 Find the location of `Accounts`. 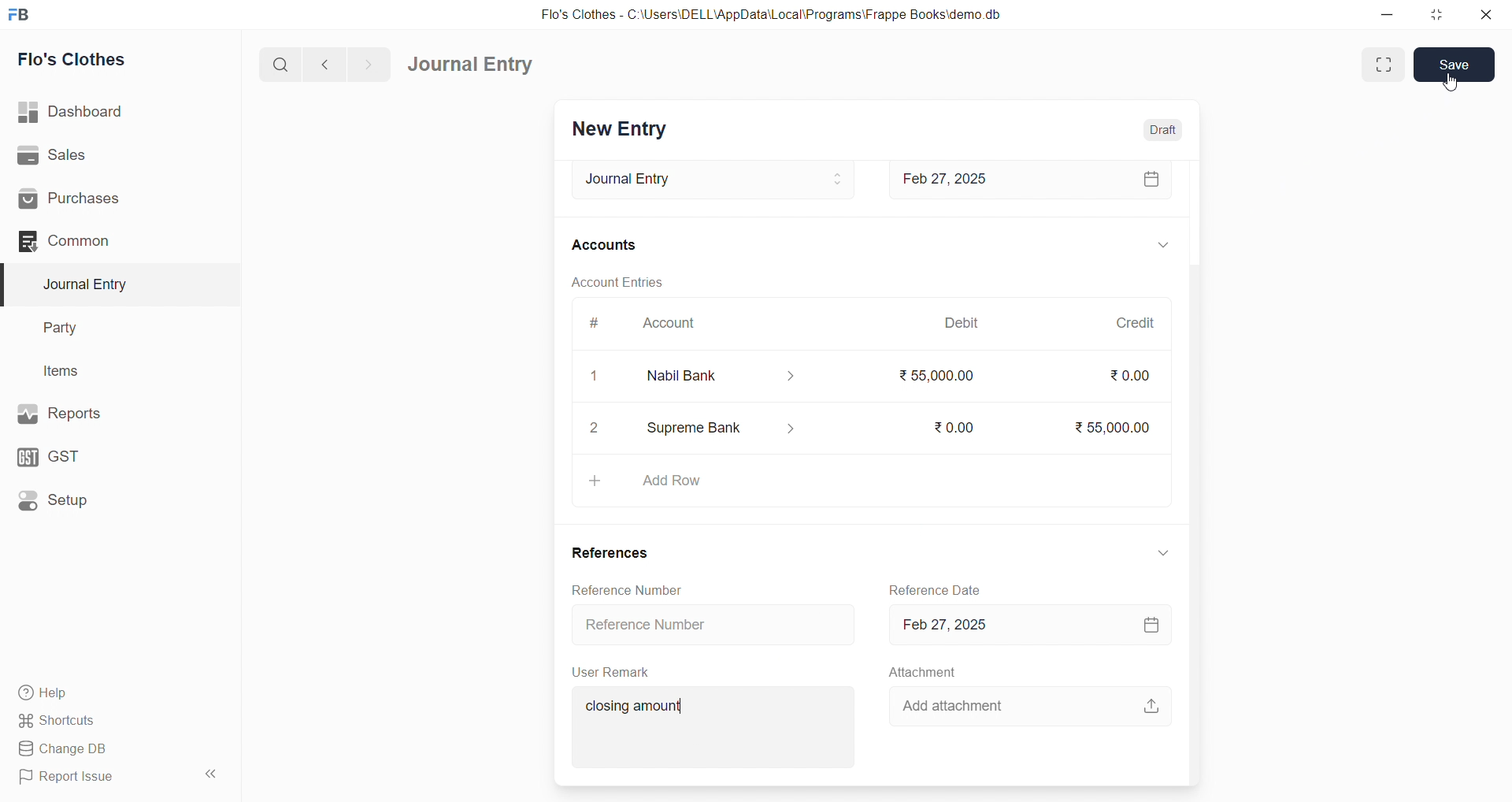

Accounts is located at coordinates (606, 247).